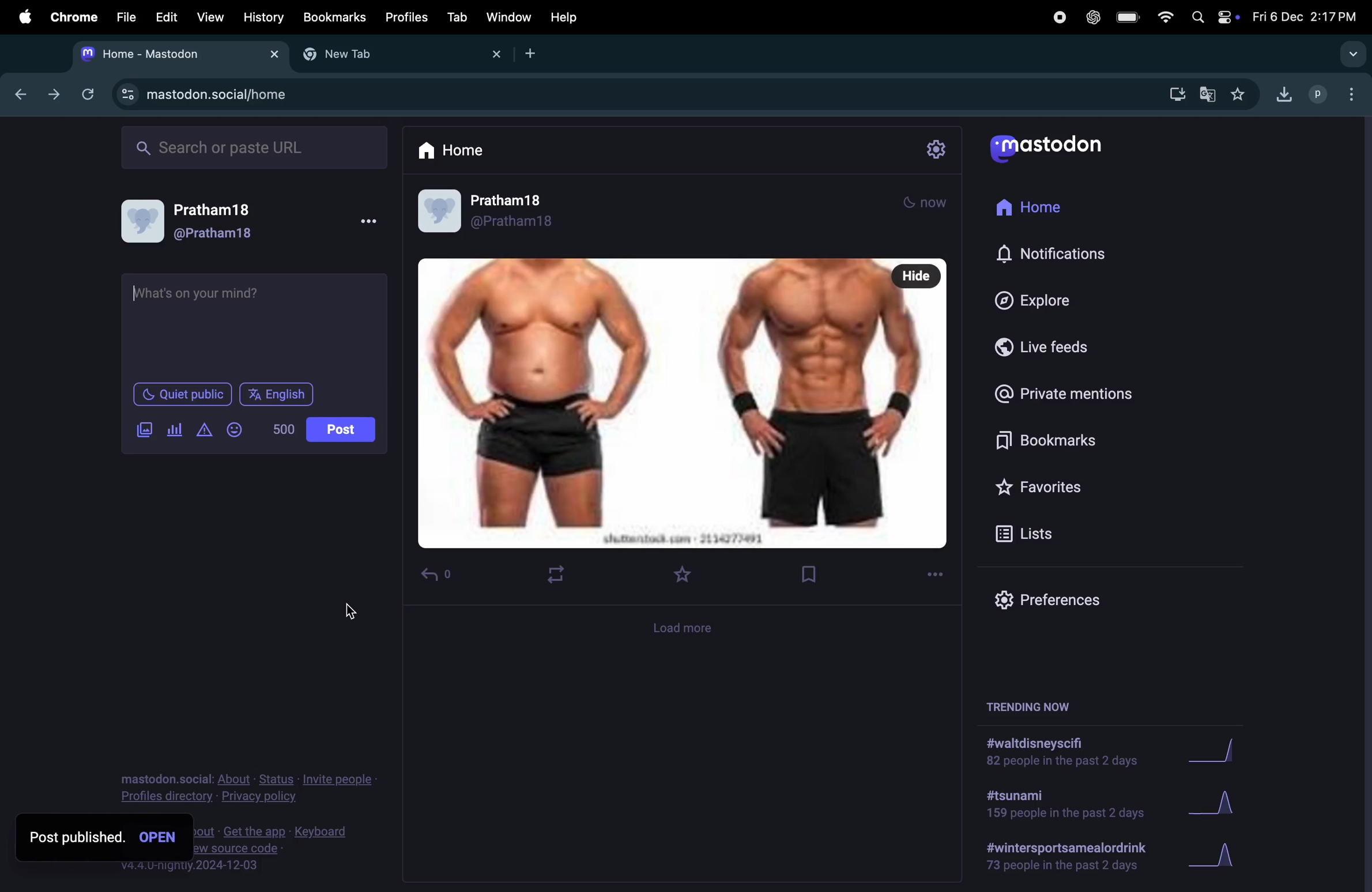  Describe the element at coordinates (285, 429) in the screenshot. I see `500 words` at that location.